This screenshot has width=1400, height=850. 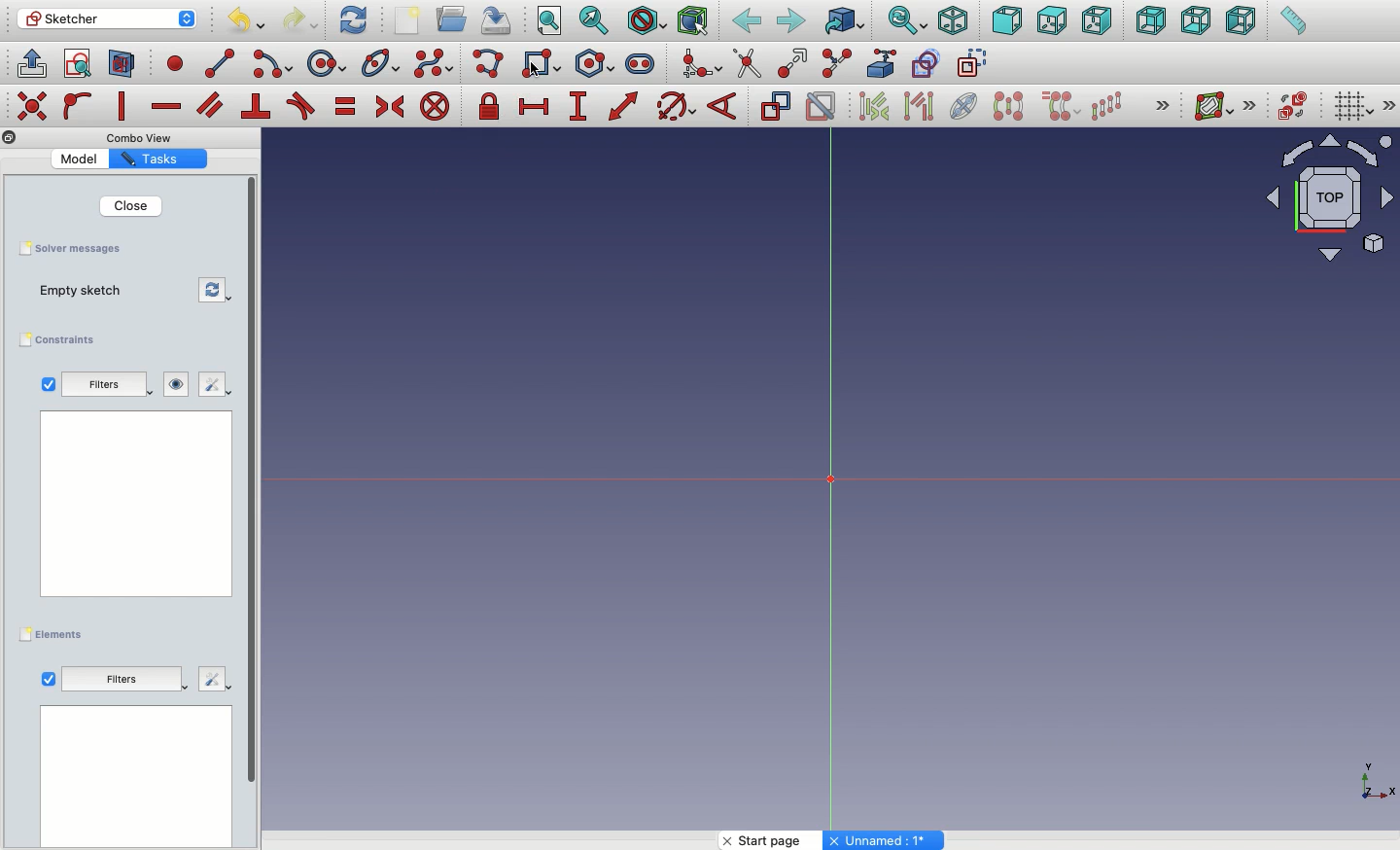 What do you see at coordinates (791, 20) in the screenshot?
I see `Forward` at bounding box center [791, 20].